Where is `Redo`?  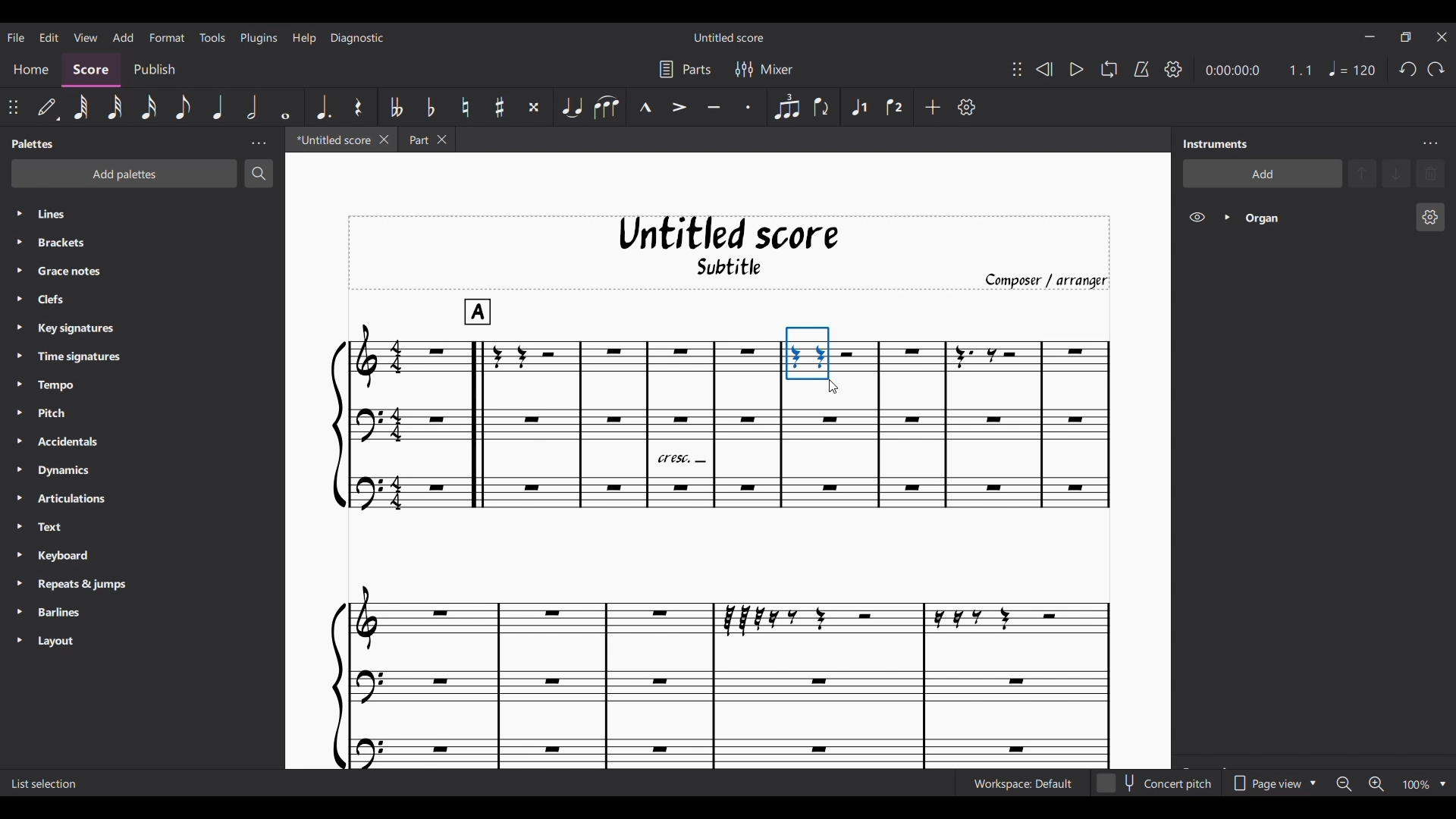
Redo is located at coordinates (1436, 69).